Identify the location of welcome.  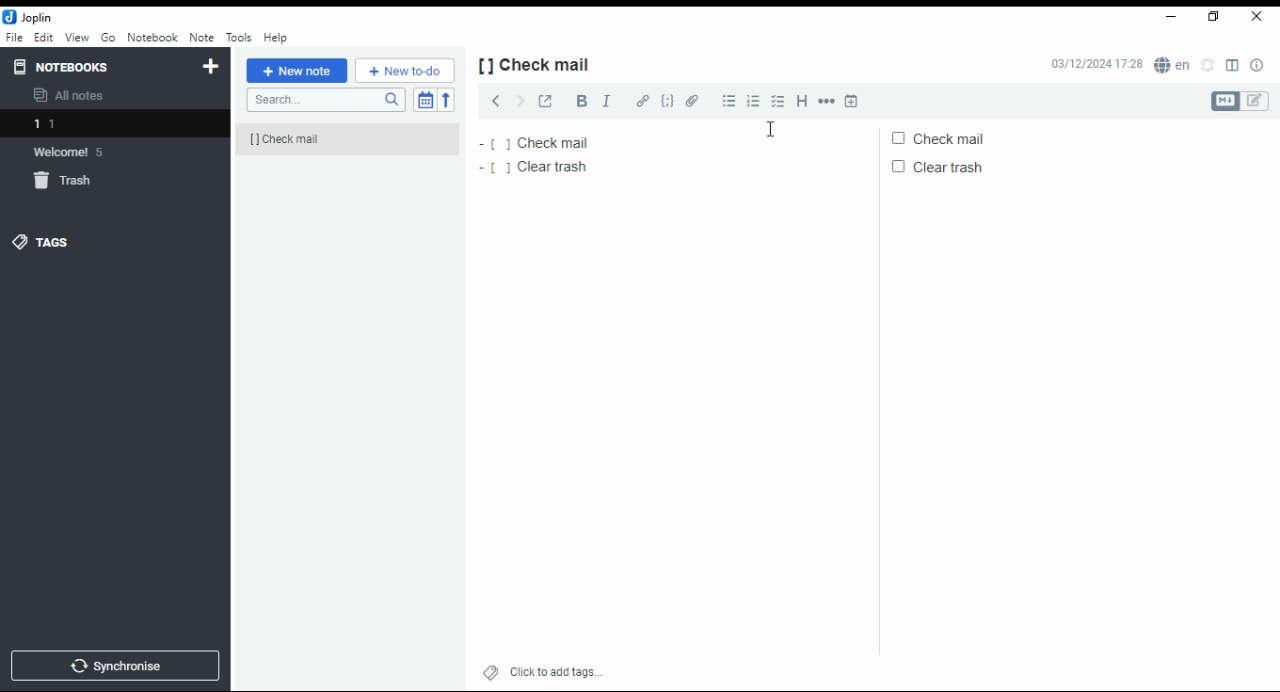
(76, 152).